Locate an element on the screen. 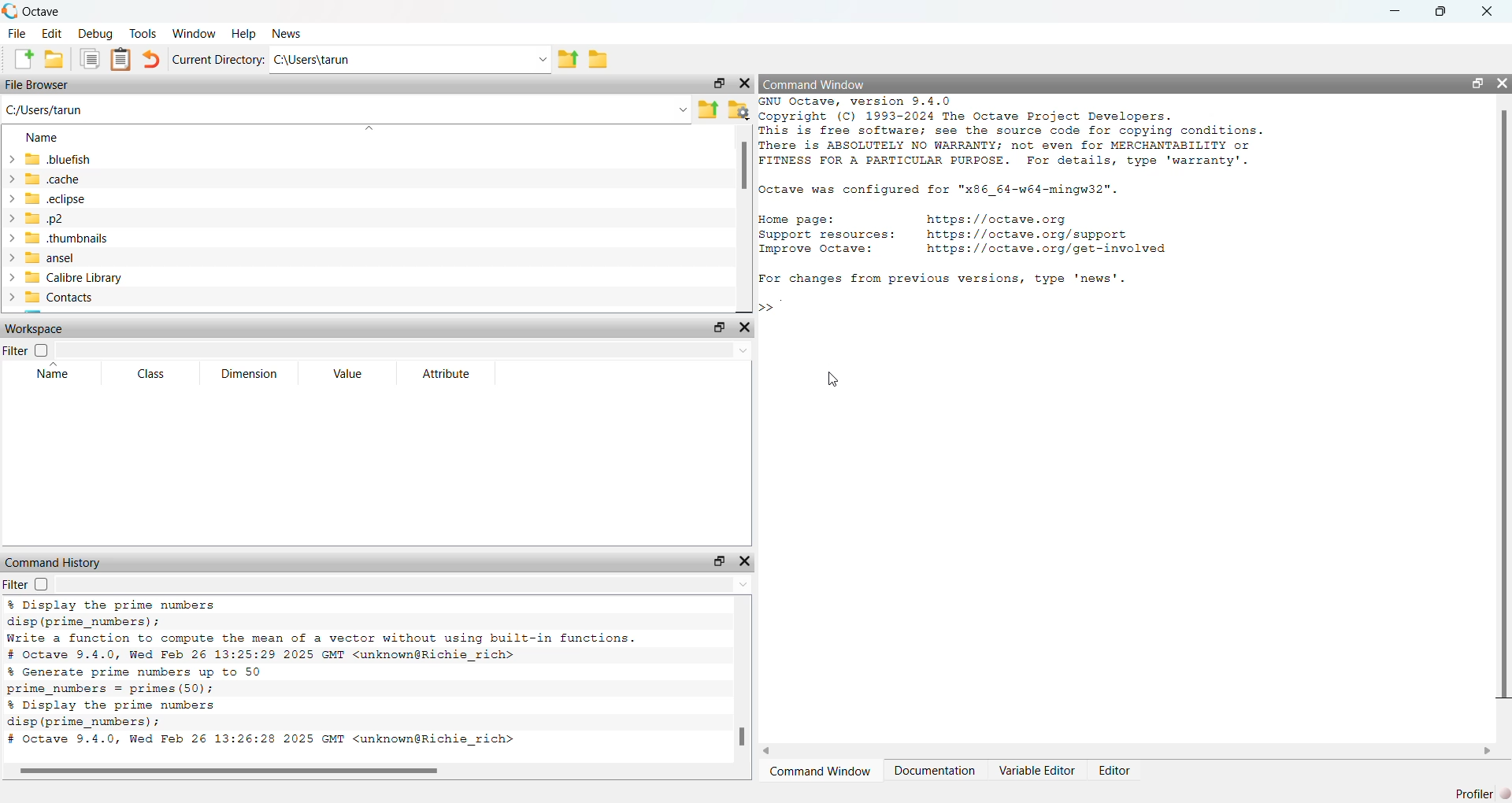  Editor is located at coordinates (1115, 771).